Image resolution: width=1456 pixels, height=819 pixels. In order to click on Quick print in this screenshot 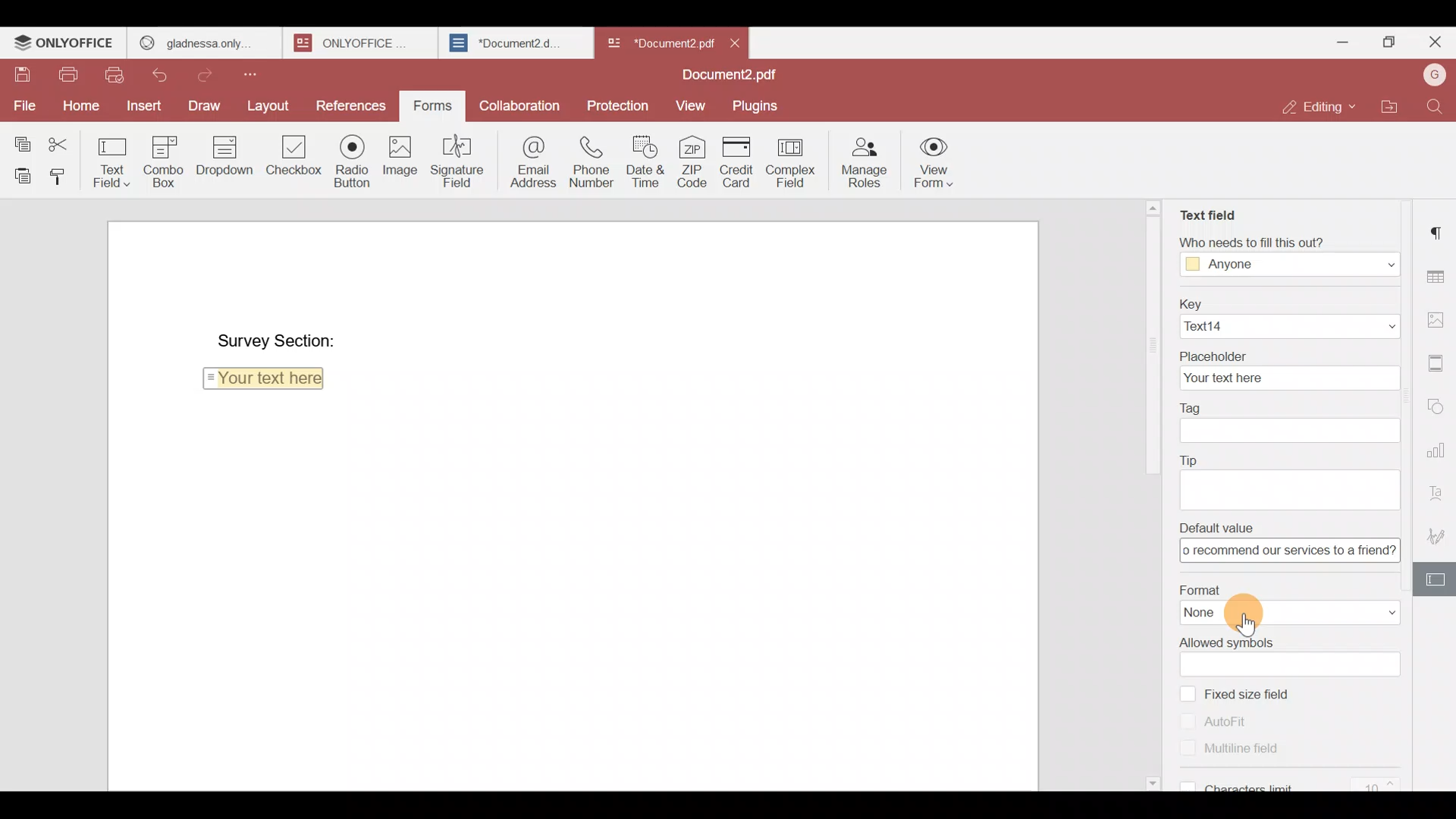, I will do `click(120, 75)`.